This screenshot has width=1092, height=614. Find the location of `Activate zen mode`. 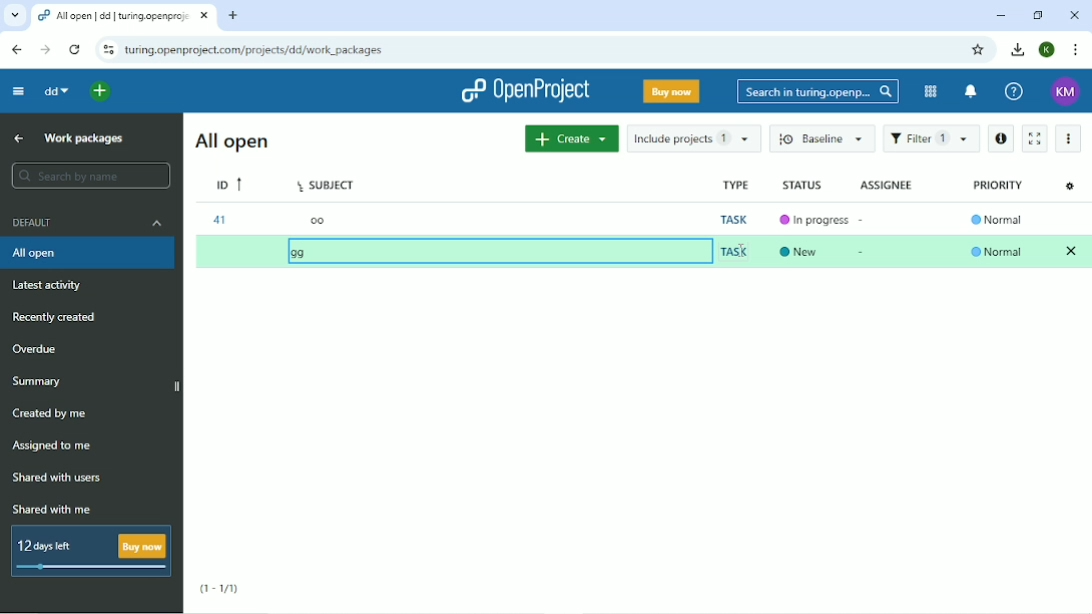

Activate zen mode is located at coordinates (1036, 139).